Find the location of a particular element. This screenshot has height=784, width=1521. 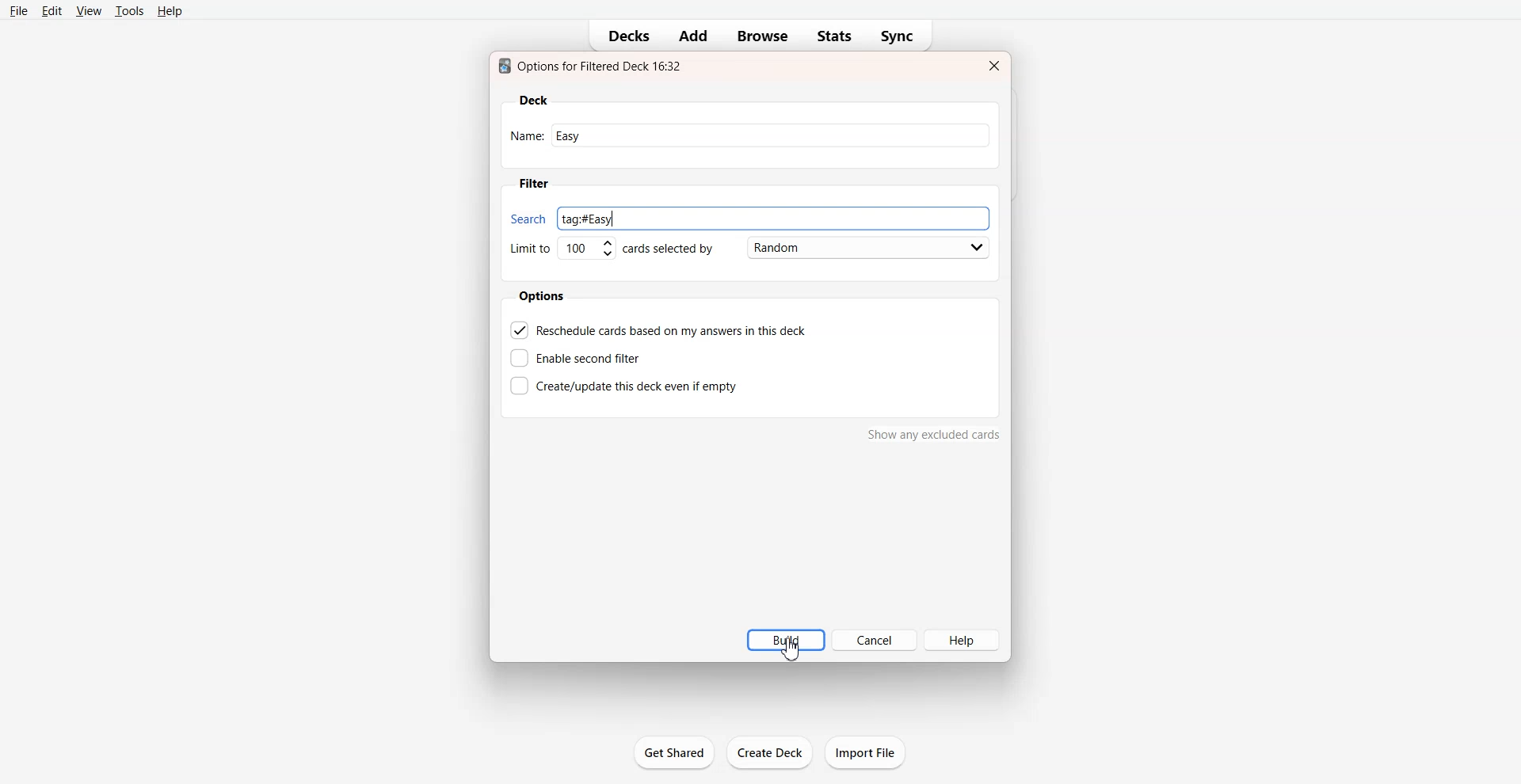

Edit is located at coordinates (53, 11).